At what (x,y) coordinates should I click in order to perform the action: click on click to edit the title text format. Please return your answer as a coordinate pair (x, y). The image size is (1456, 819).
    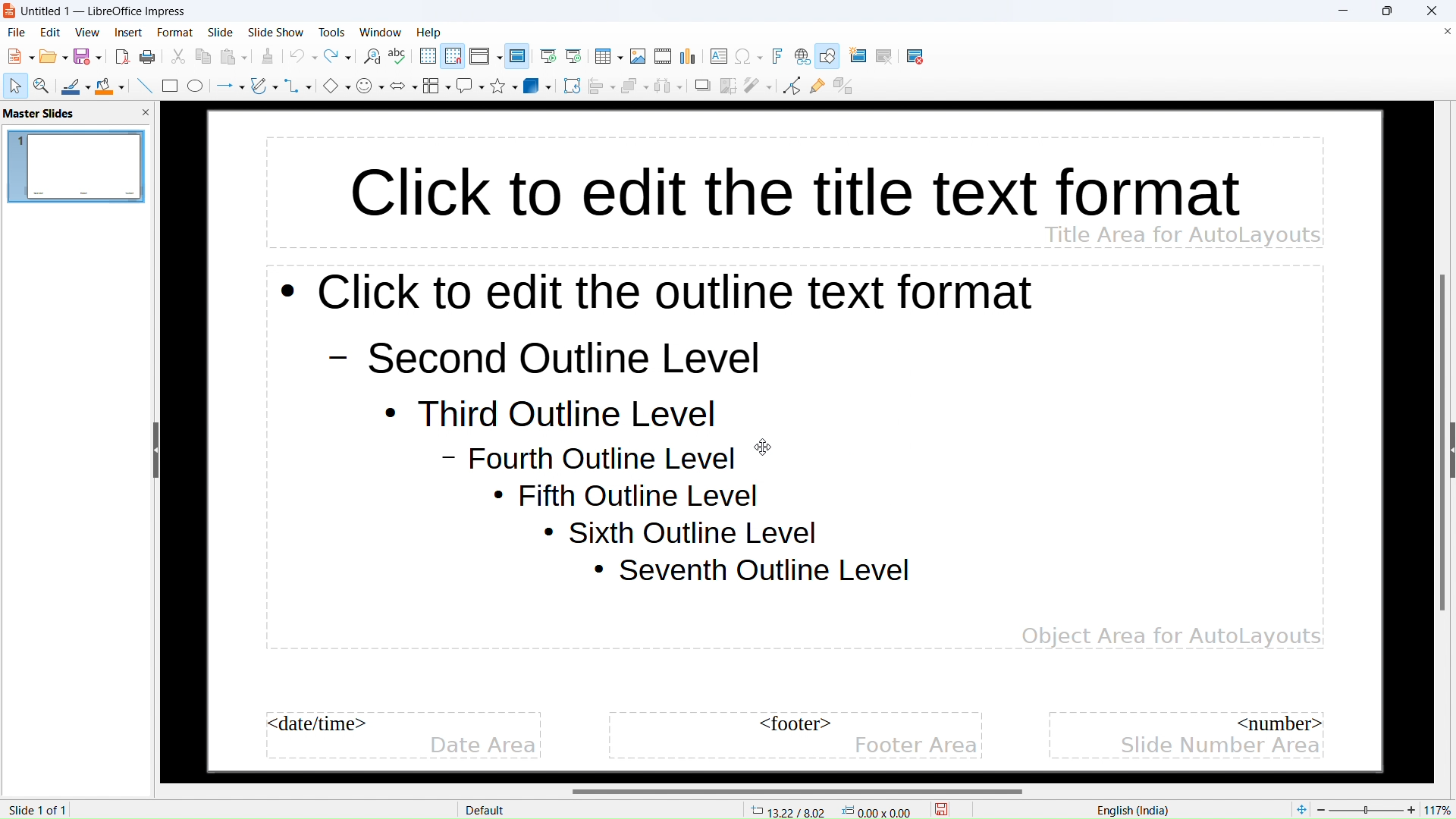
    Looking at the image, I should click on (763, 180).